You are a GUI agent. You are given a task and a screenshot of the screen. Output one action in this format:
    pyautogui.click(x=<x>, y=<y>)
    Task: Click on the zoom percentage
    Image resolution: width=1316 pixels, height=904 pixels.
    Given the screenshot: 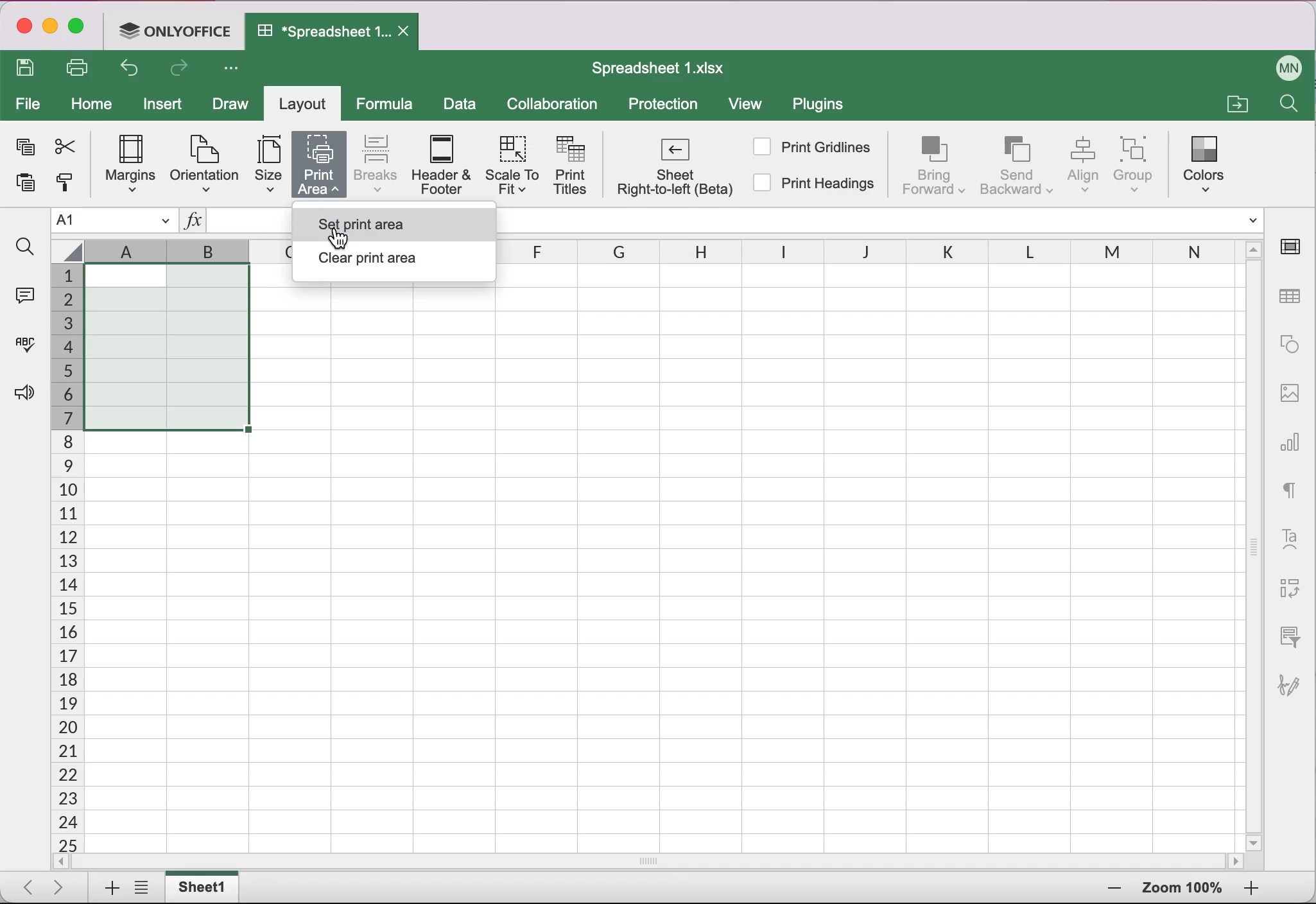 What is the action you would take?
    pyautogui.click(x=1182, y=890)
    